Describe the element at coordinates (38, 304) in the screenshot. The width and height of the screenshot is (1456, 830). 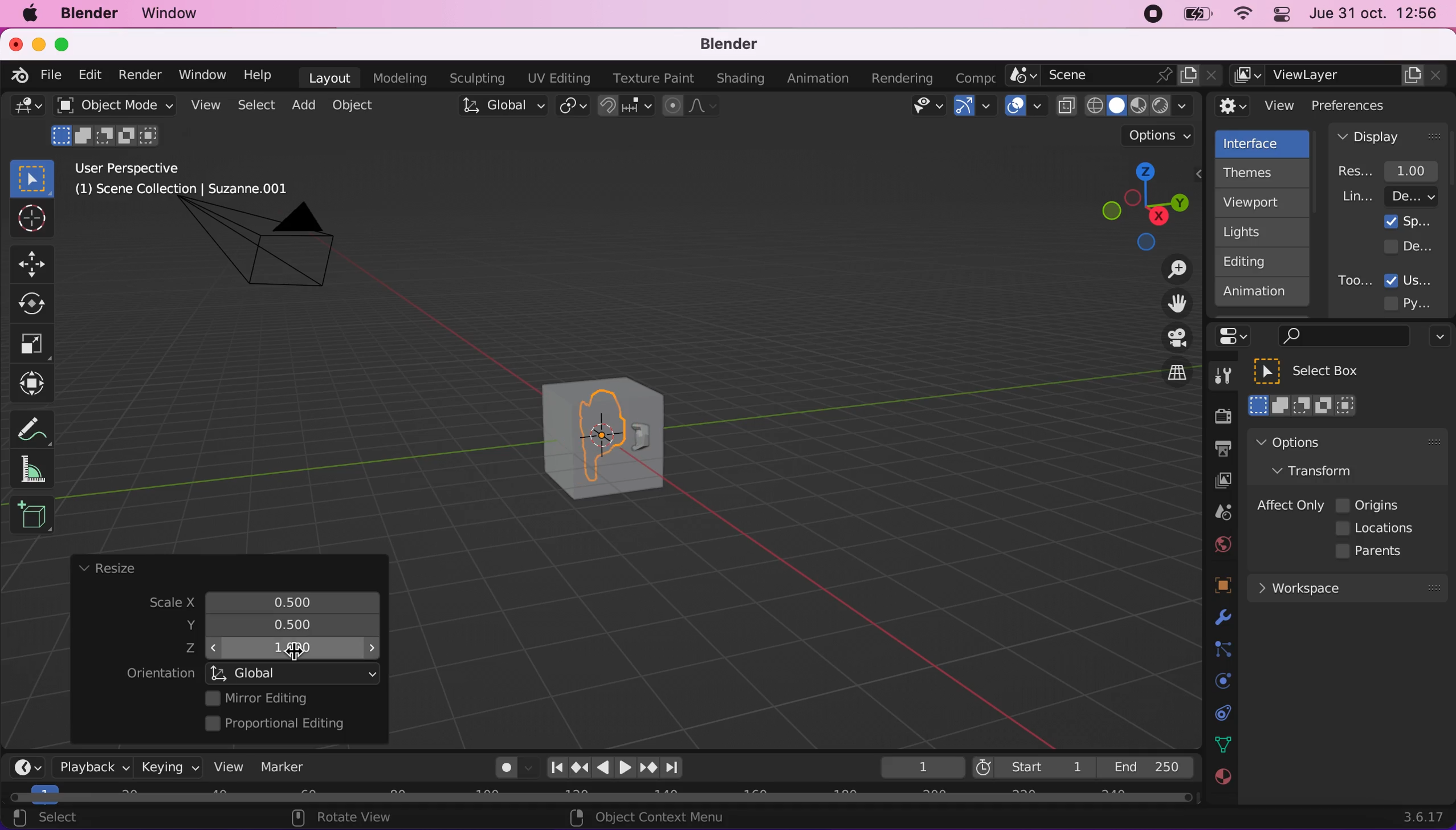
I see `` at that location.